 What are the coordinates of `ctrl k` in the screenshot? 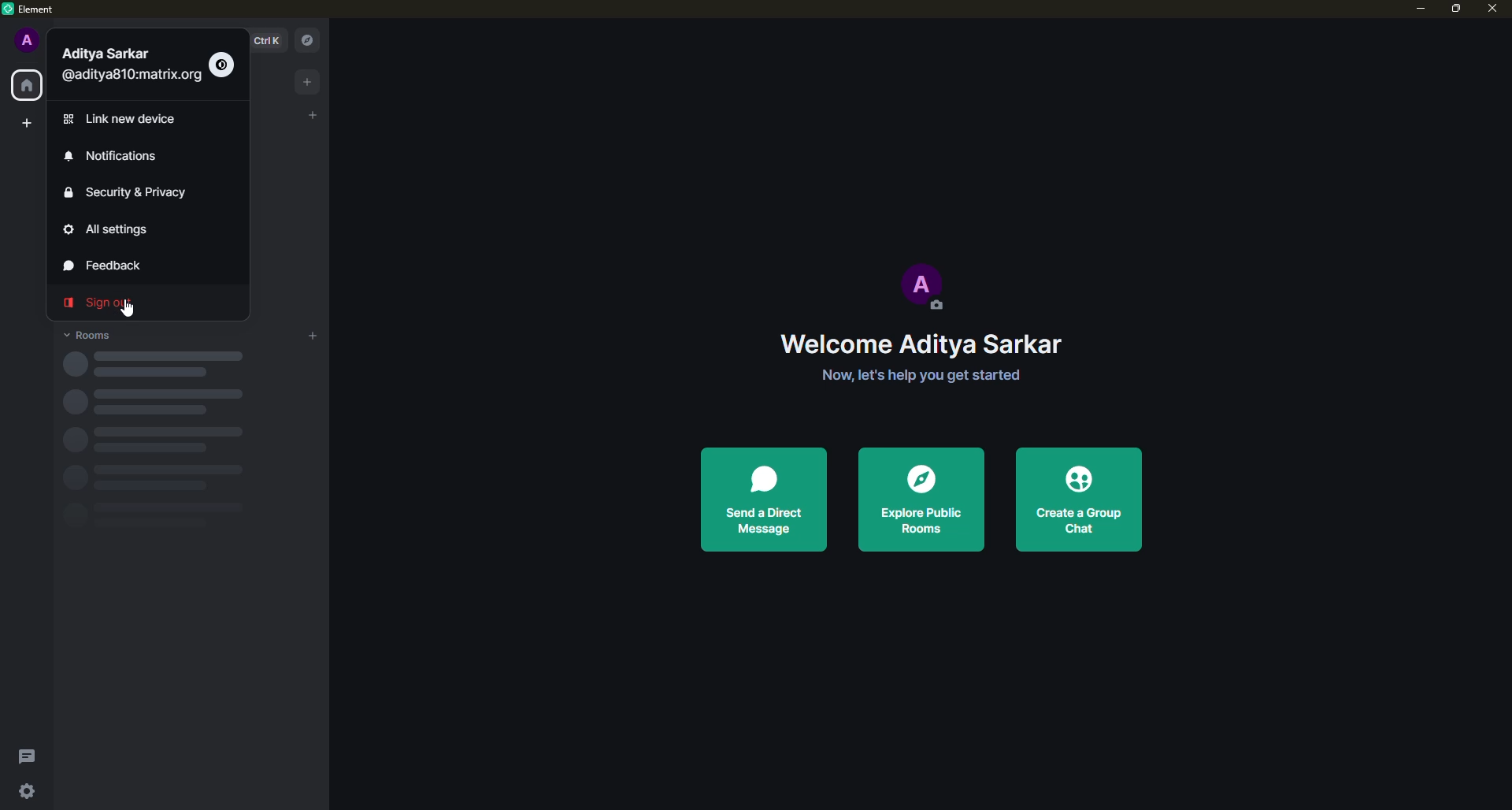 It's located at (266, 40).